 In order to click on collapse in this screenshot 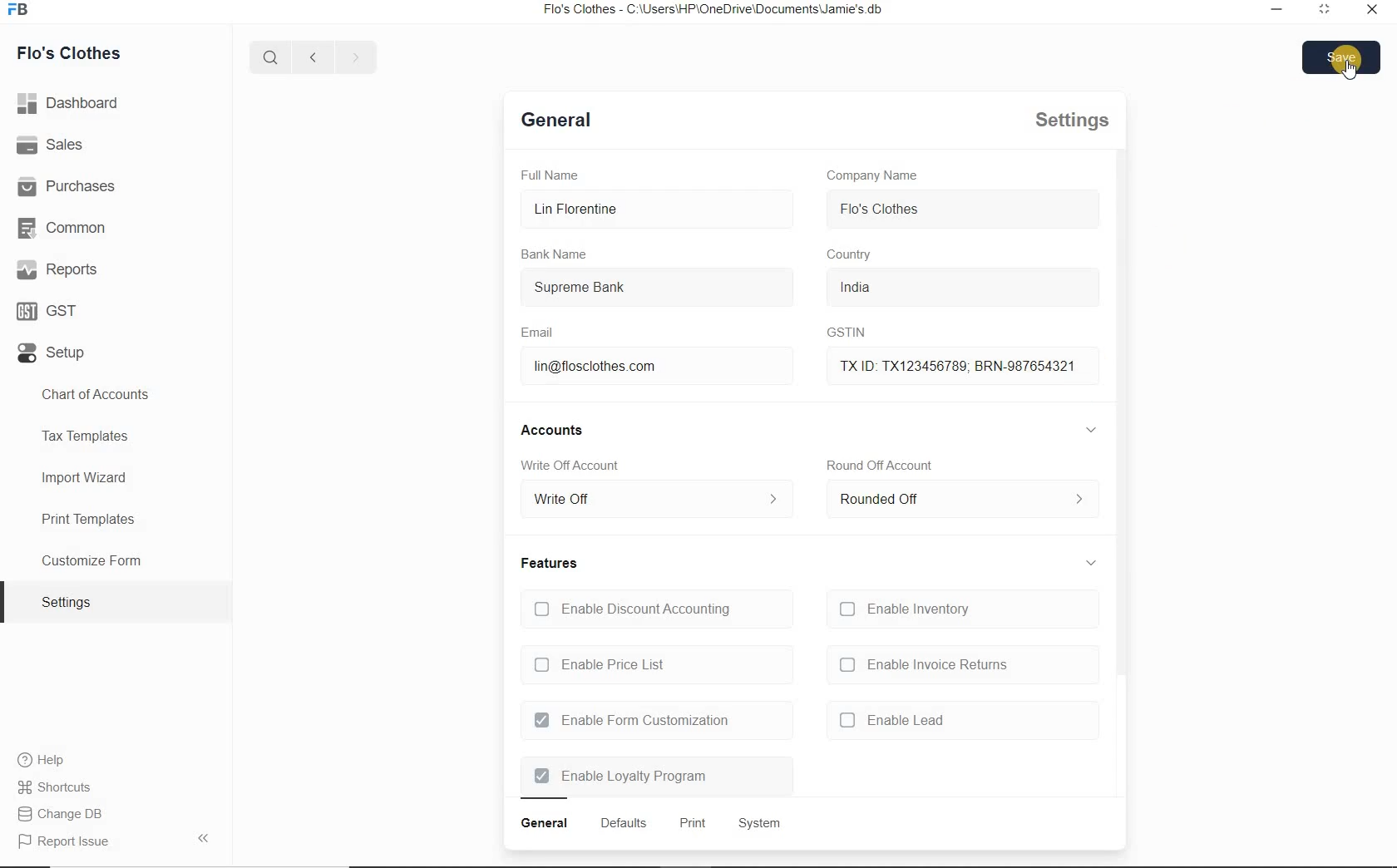, I will do `click(1092, 559)`.